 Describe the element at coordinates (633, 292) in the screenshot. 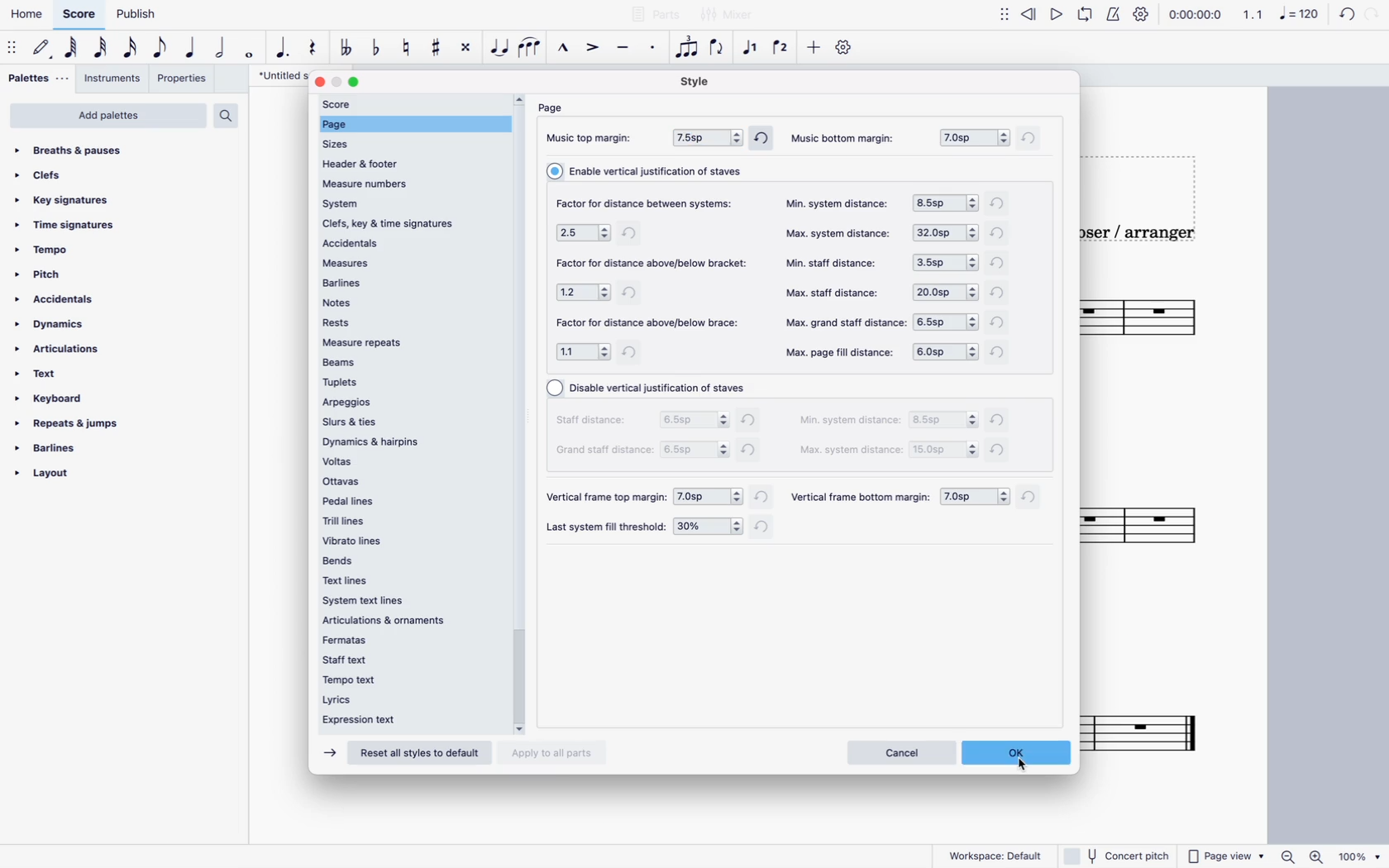

I see `refresh` at that location.